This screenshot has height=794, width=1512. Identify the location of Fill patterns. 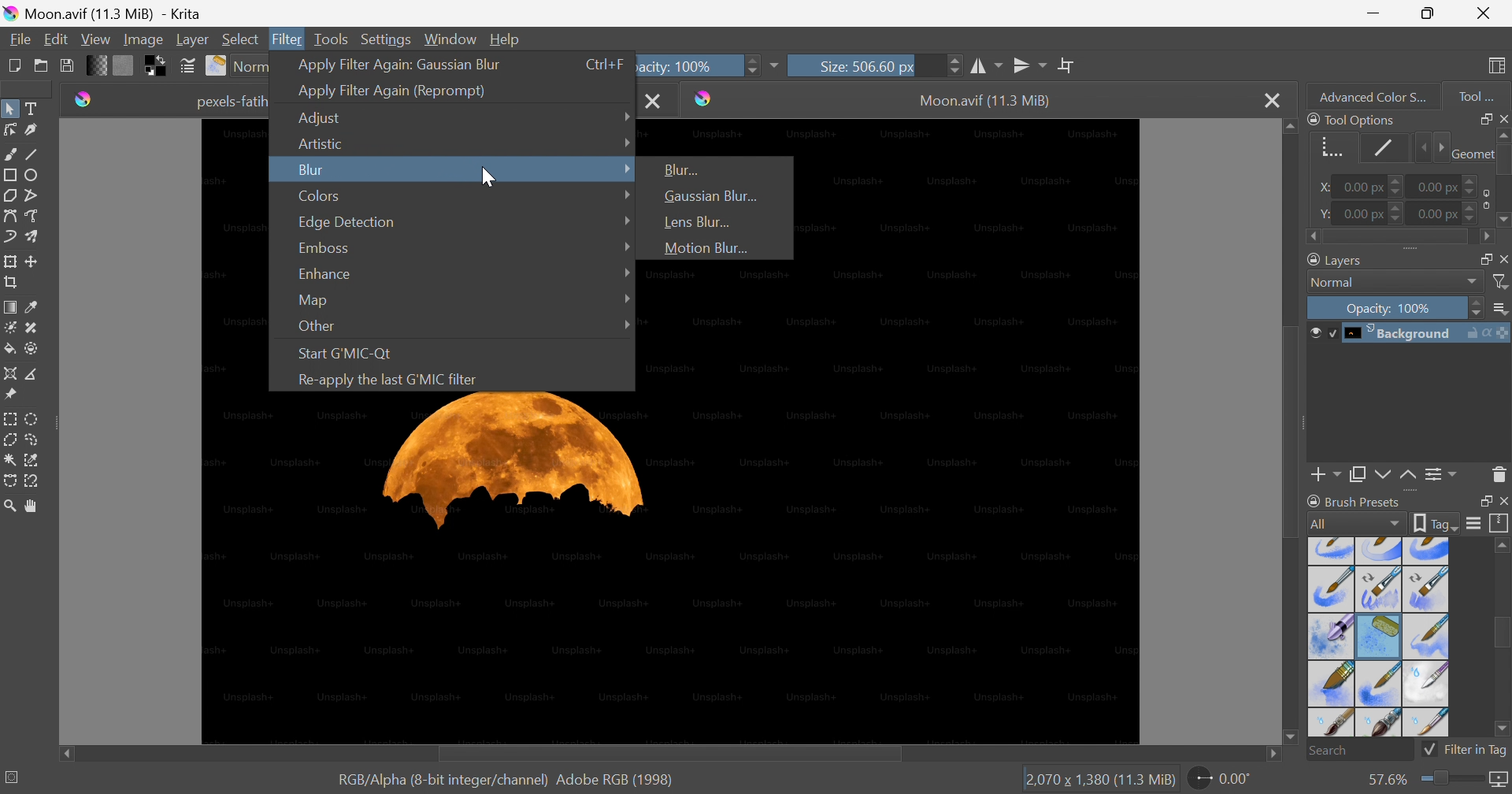
(123, 64).